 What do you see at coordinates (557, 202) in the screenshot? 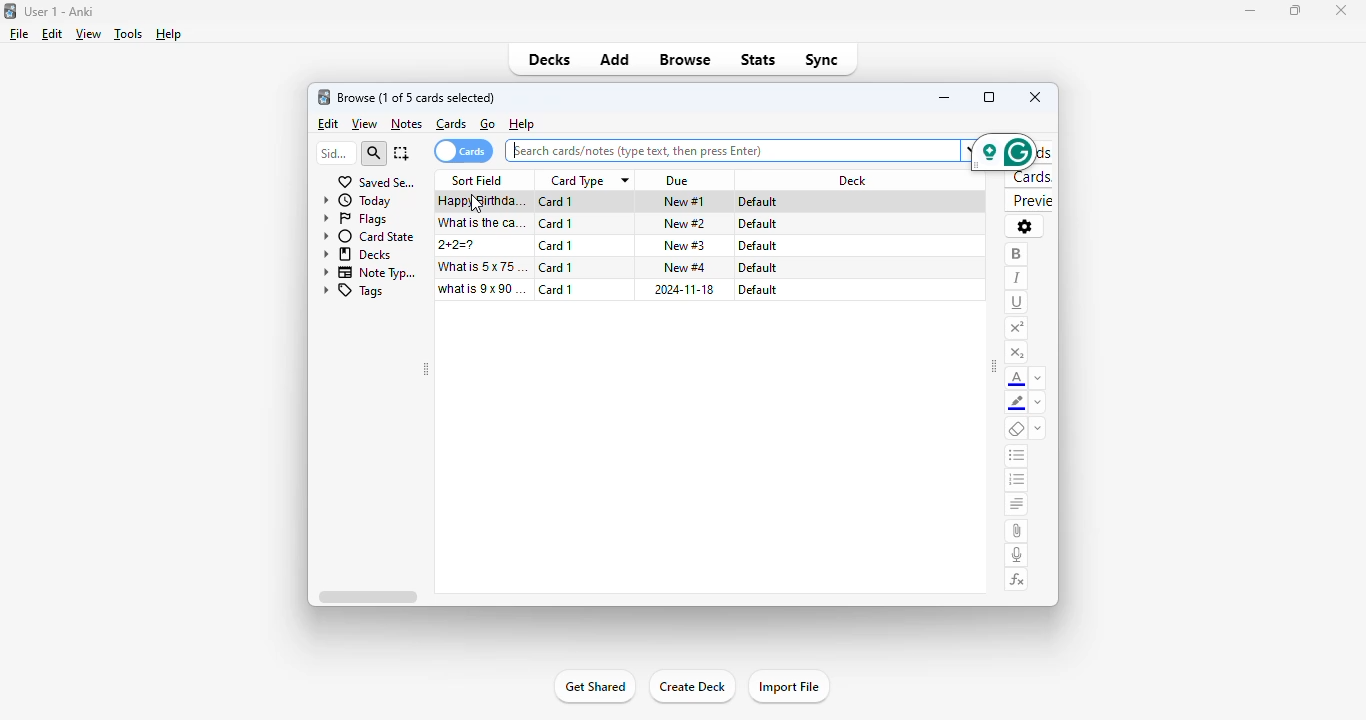
I see `card 1` at bounding box center [557, 202].